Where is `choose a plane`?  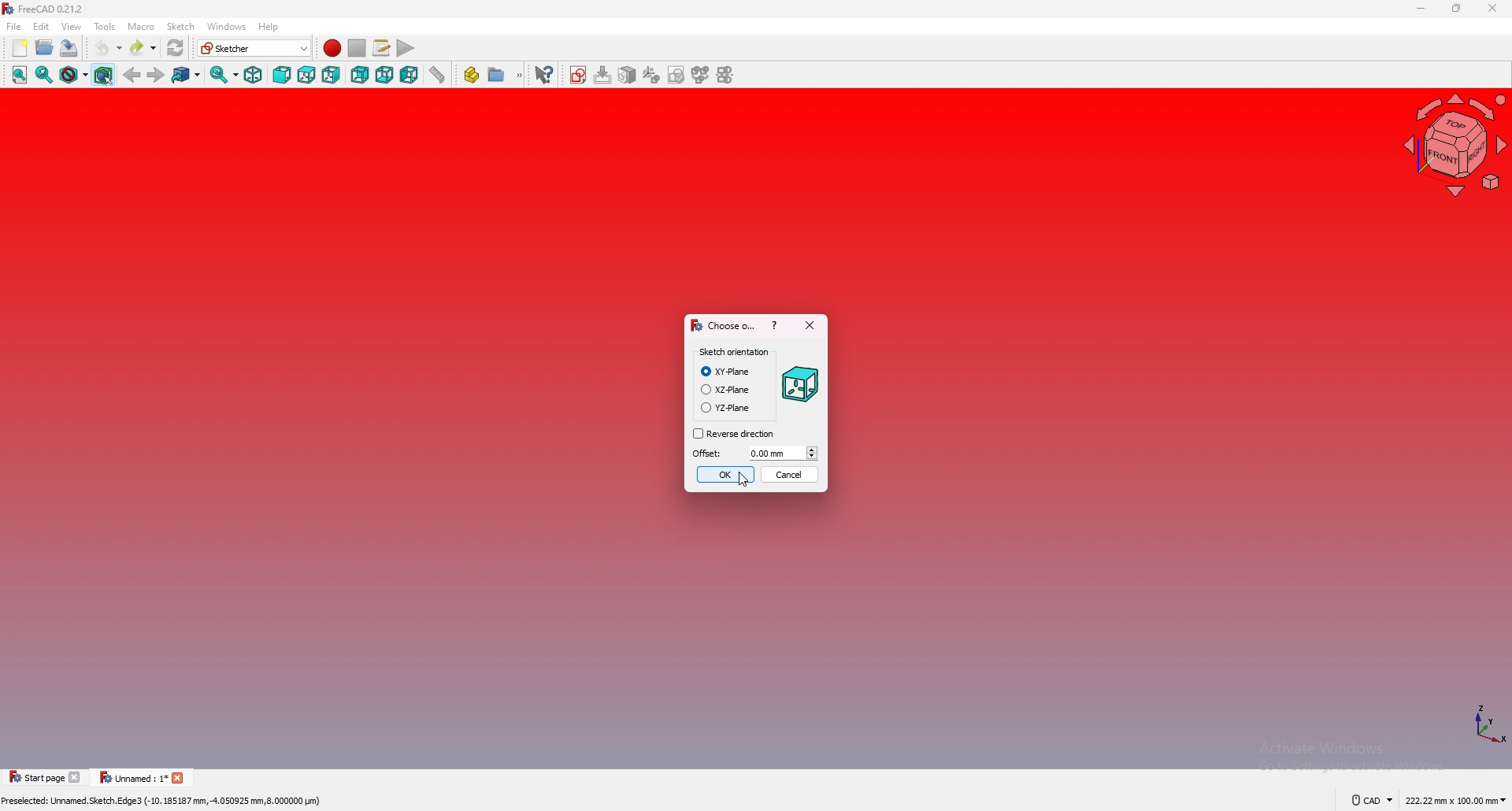 choose a plane is located at coordinates (723, 324).